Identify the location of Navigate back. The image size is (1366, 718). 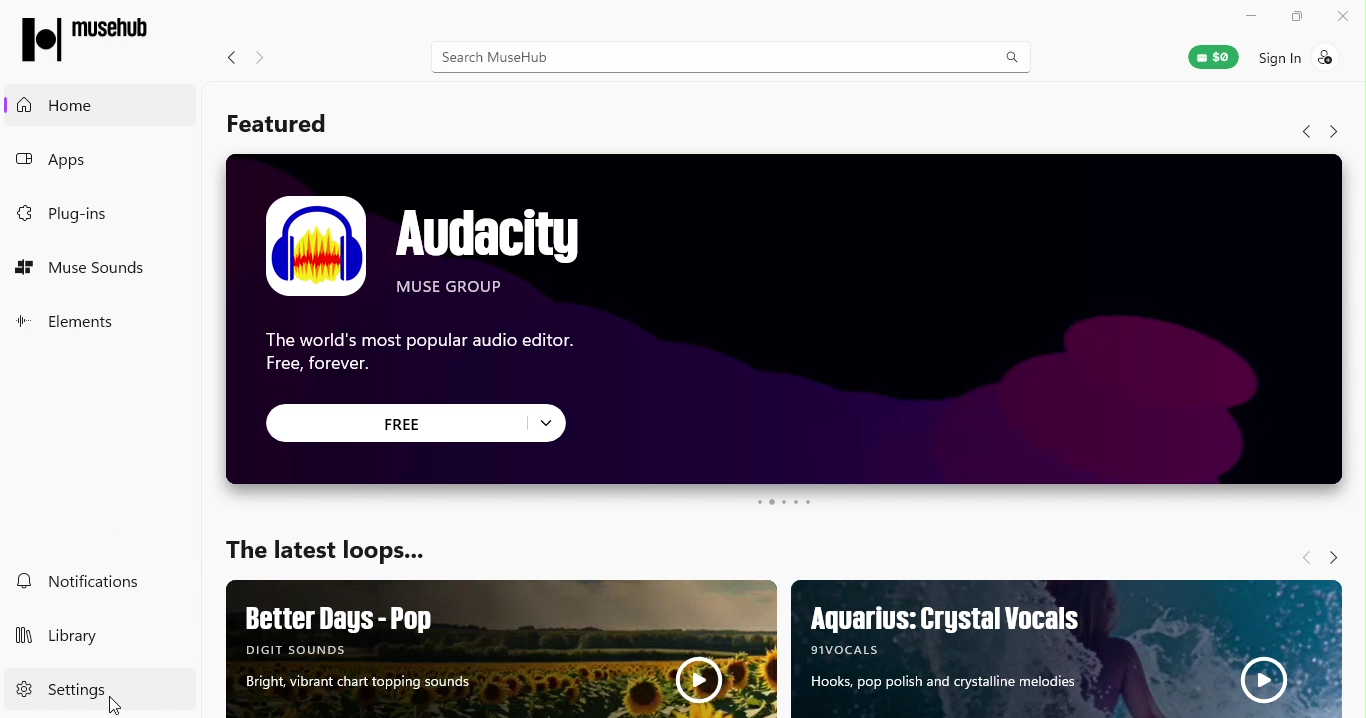
(1303, 132).